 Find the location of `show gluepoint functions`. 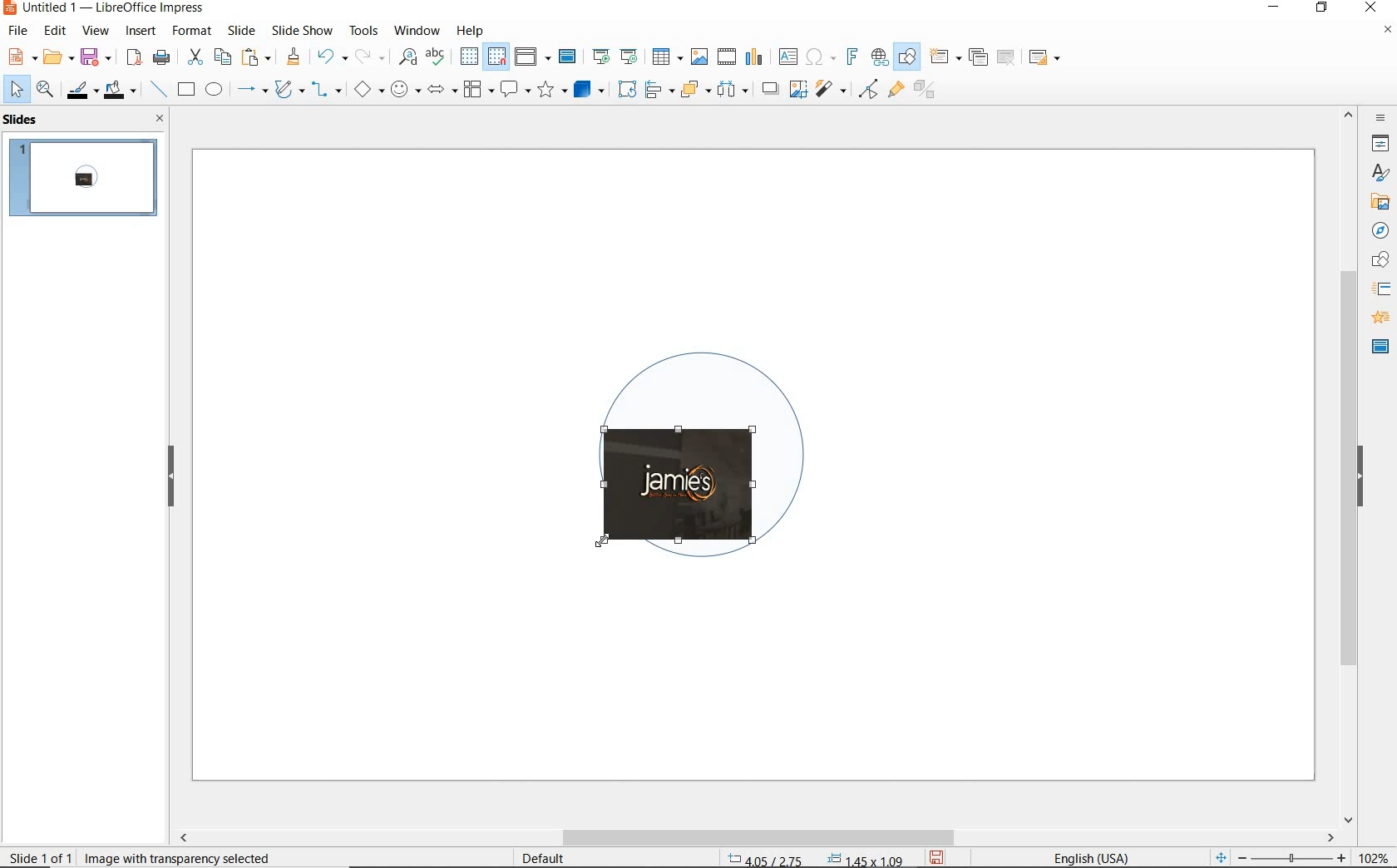

show gluepoint functions is located at coordinates (892, 91).